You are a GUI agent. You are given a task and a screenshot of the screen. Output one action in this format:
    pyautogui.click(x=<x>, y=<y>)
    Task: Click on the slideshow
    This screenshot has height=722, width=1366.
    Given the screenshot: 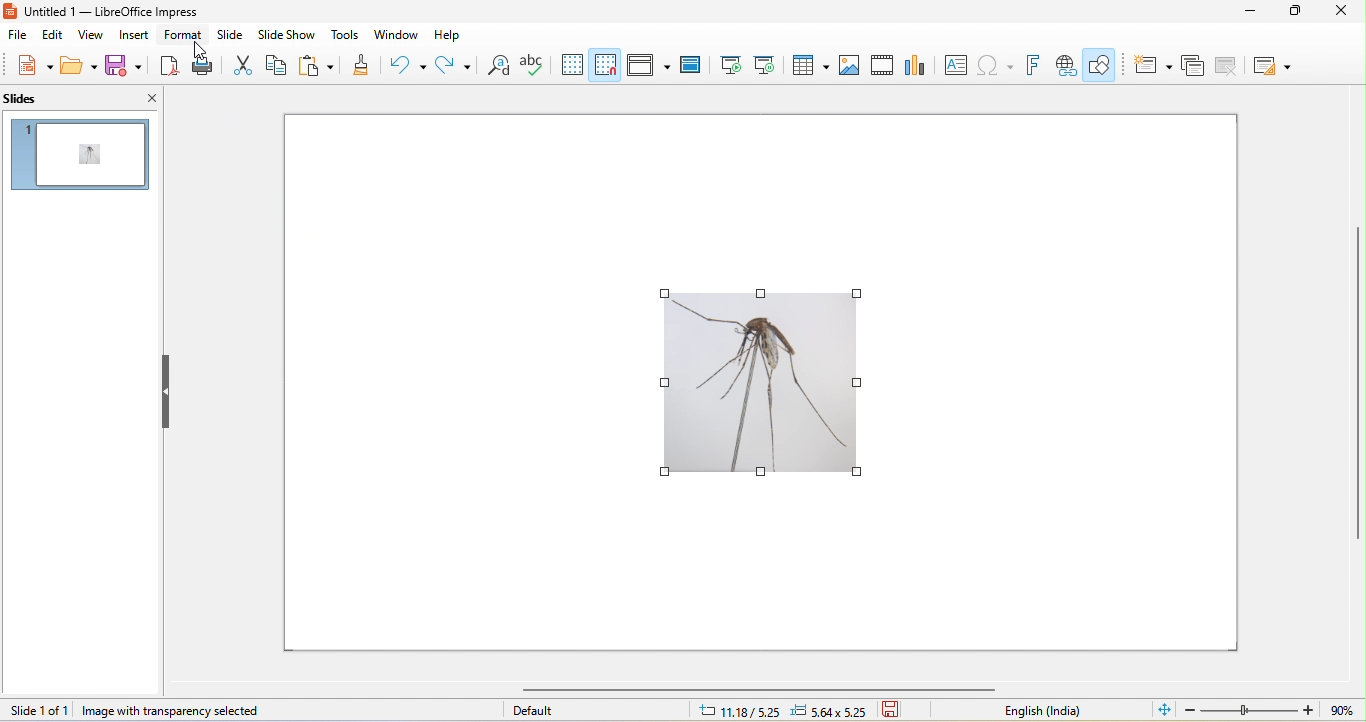 What is the action you would take?
    pyautogui.click(x=285, y=35)
    